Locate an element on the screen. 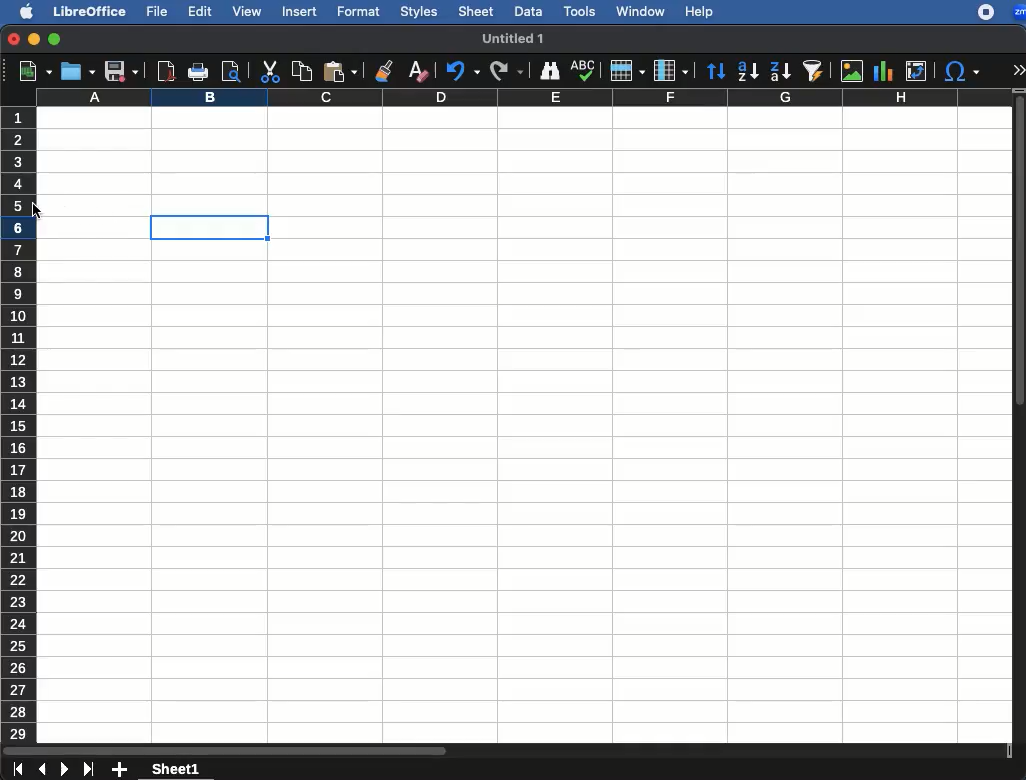 The image size is (1026, 780). sort is located at coordinates (715, 73).